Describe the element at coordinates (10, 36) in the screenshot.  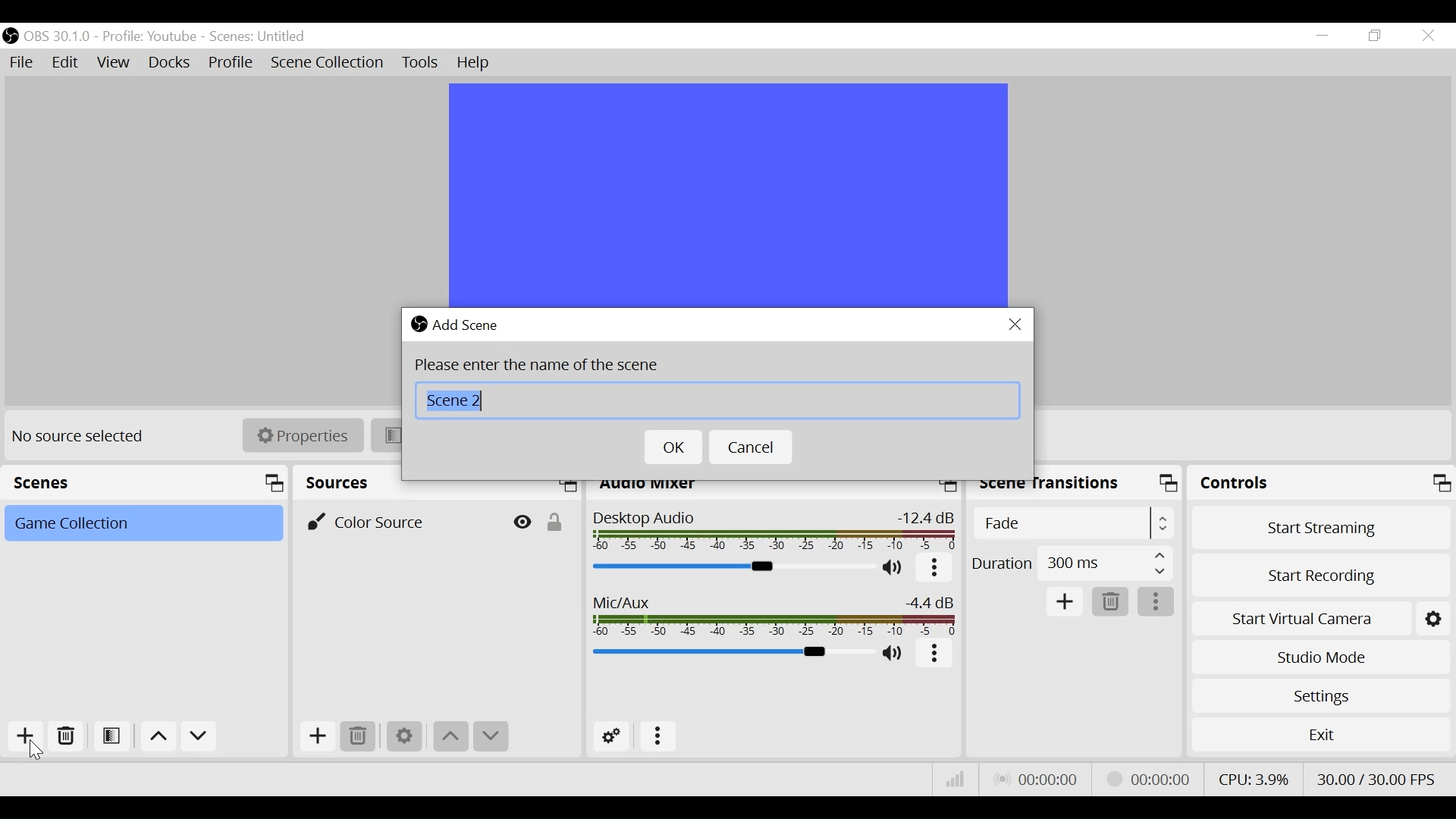
I see `OBS Desktop Icon` at that location.